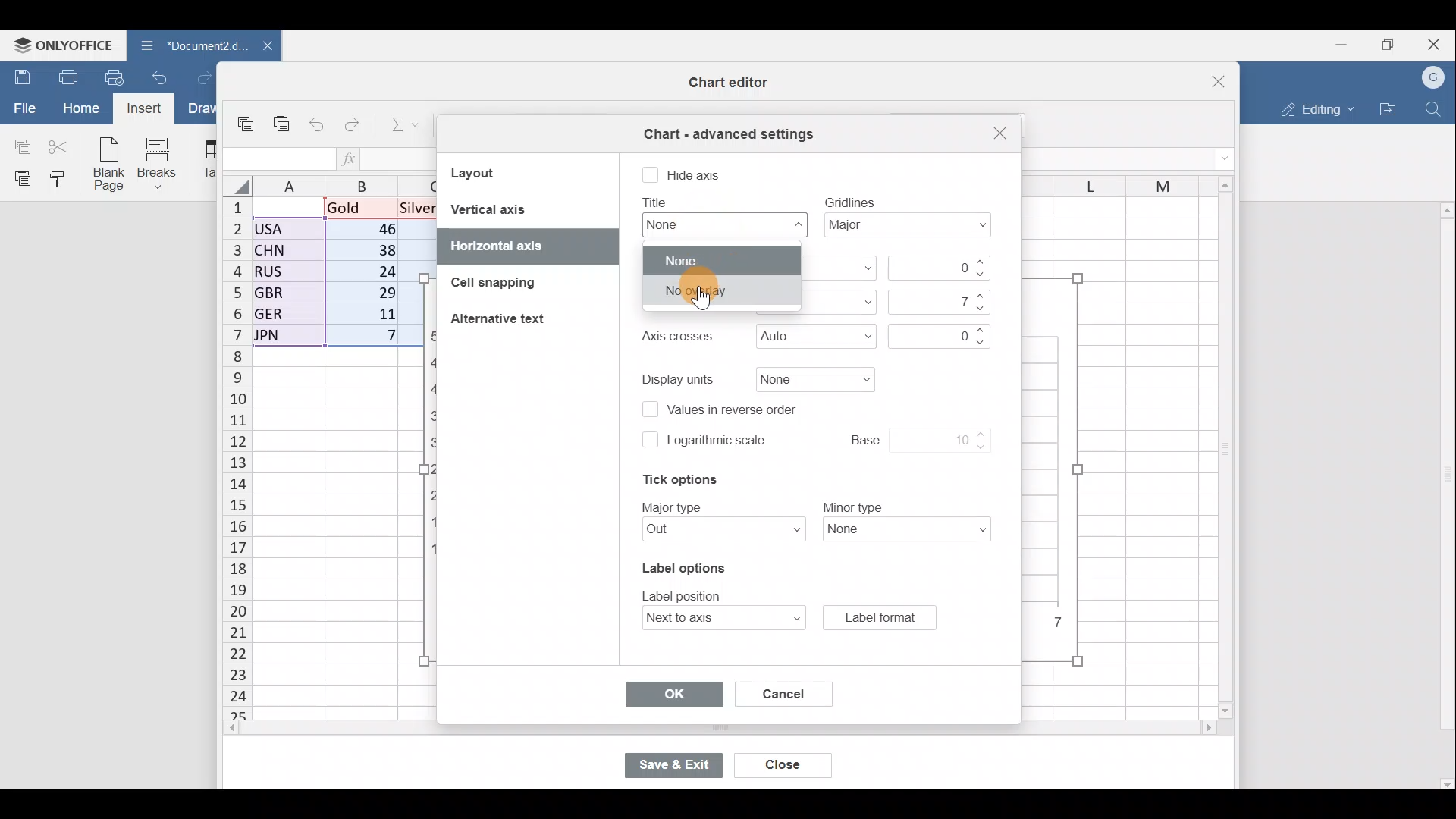 The width and height of the screenshot is (1456, 819). I want to click on Base, so click(904, 438).